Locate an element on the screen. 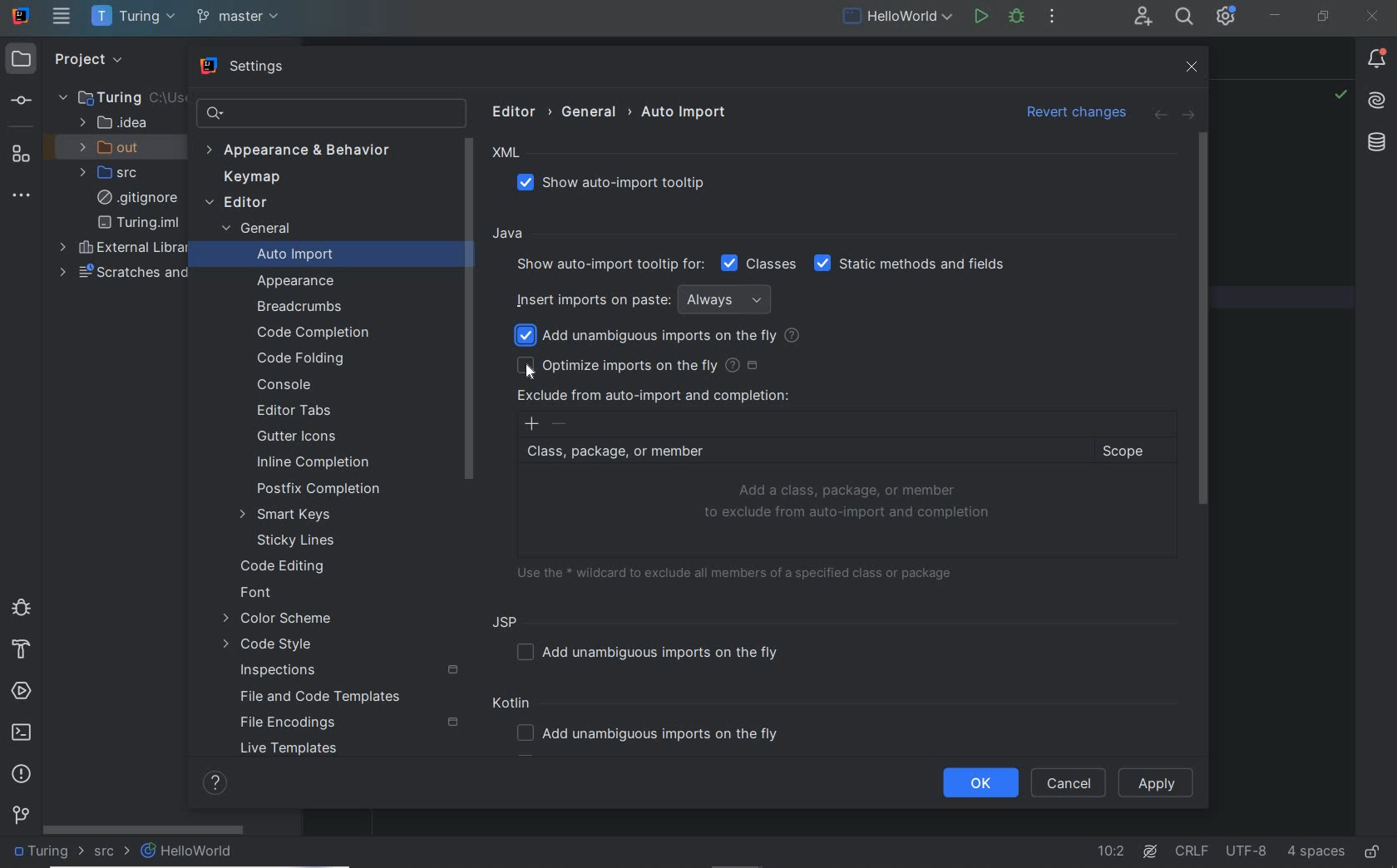 Image resolution: width=1397 pixels, height=868 pixels. ADD UNAMBIGUOUS IMPORTS ON THE FLY is located at coordinates (654, 652).